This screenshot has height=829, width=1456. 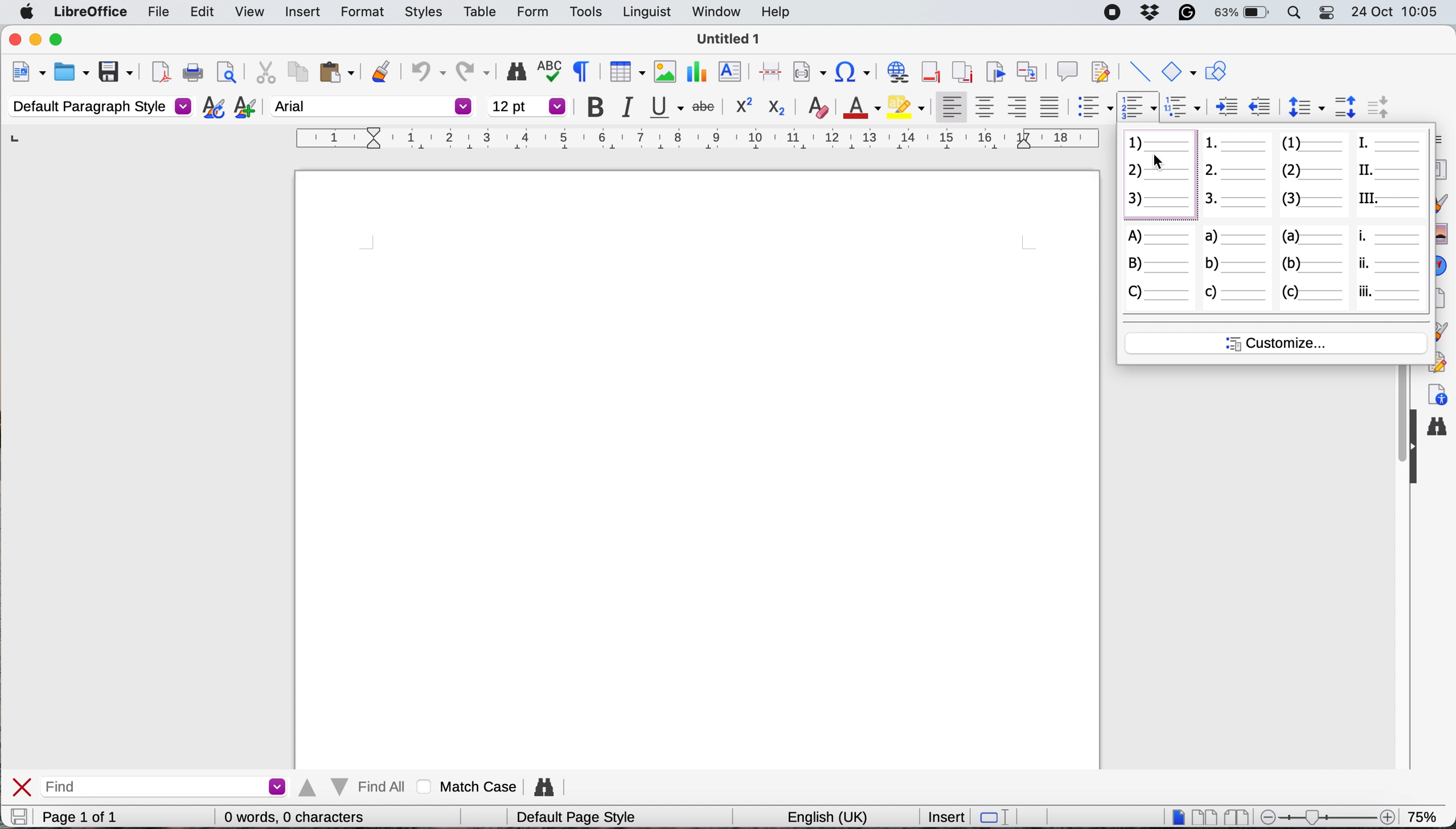 What do you see at coordinates (897, 73) in the screenshot?
I see `insert hyperlink` at bounding box center [897, 73].